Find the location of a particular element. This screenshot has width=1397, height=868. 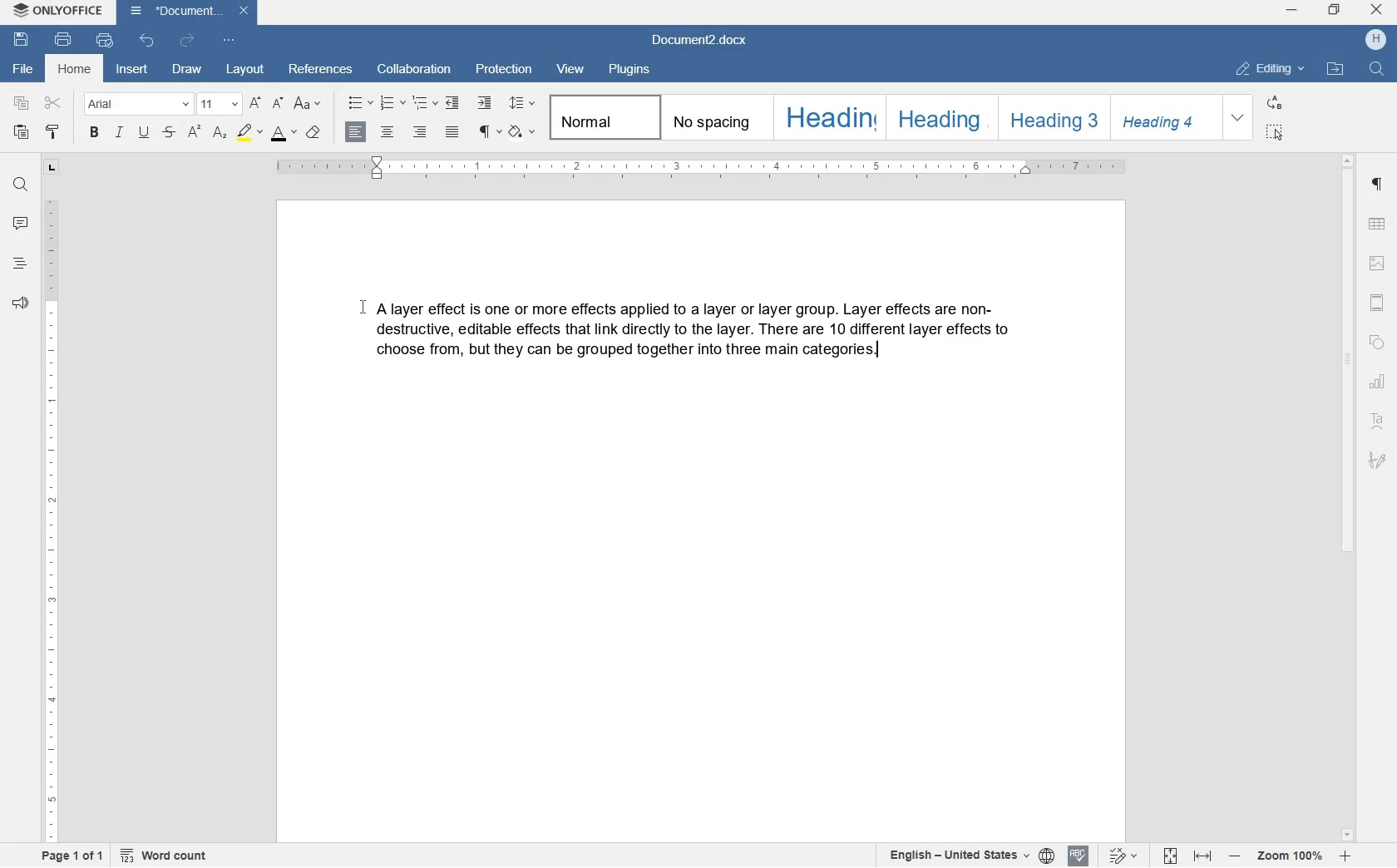

print is located at coordinates (63, 39).